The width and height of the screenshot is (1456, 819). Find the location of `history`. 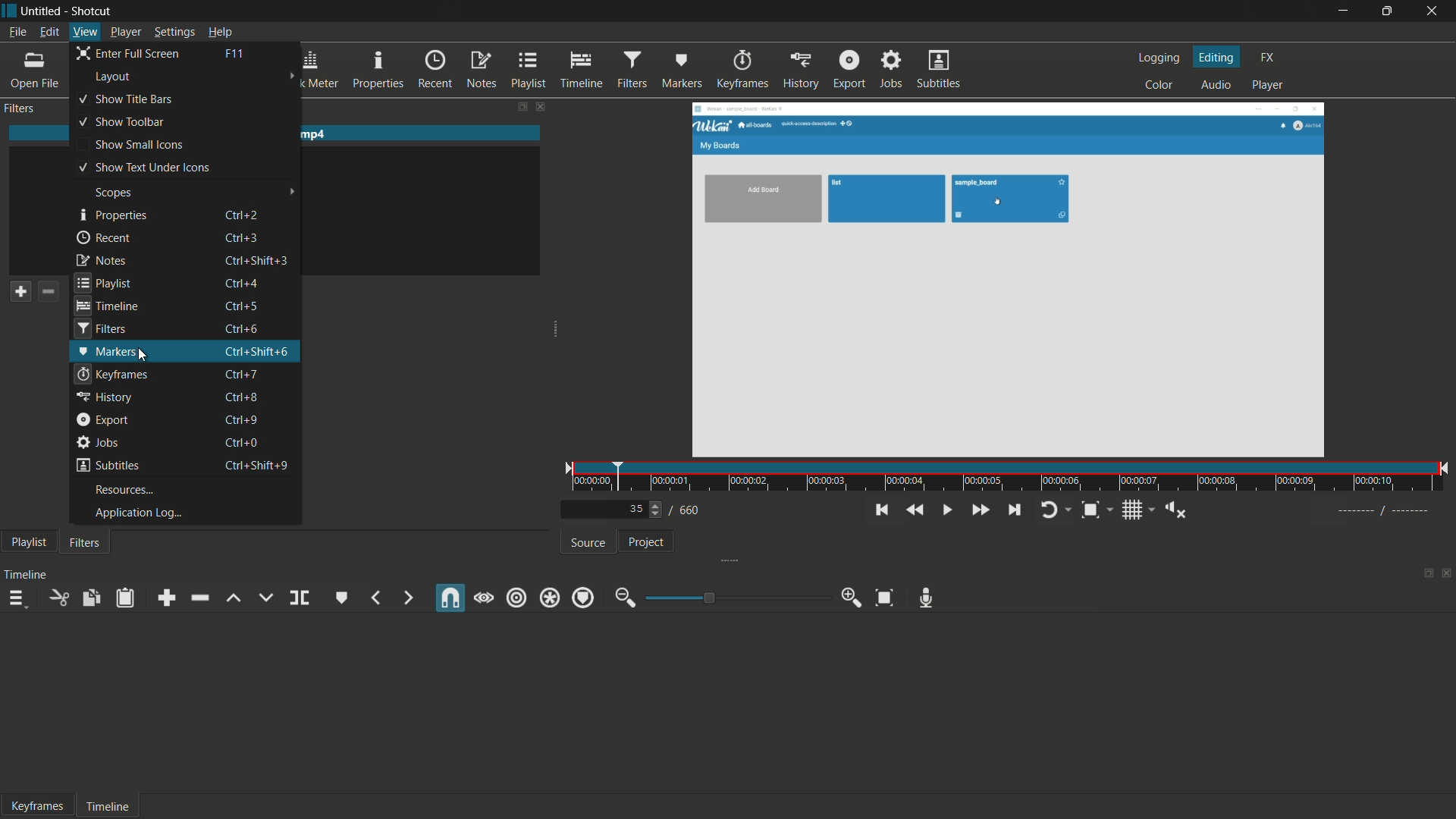

history is located at coordinates (802, 71).